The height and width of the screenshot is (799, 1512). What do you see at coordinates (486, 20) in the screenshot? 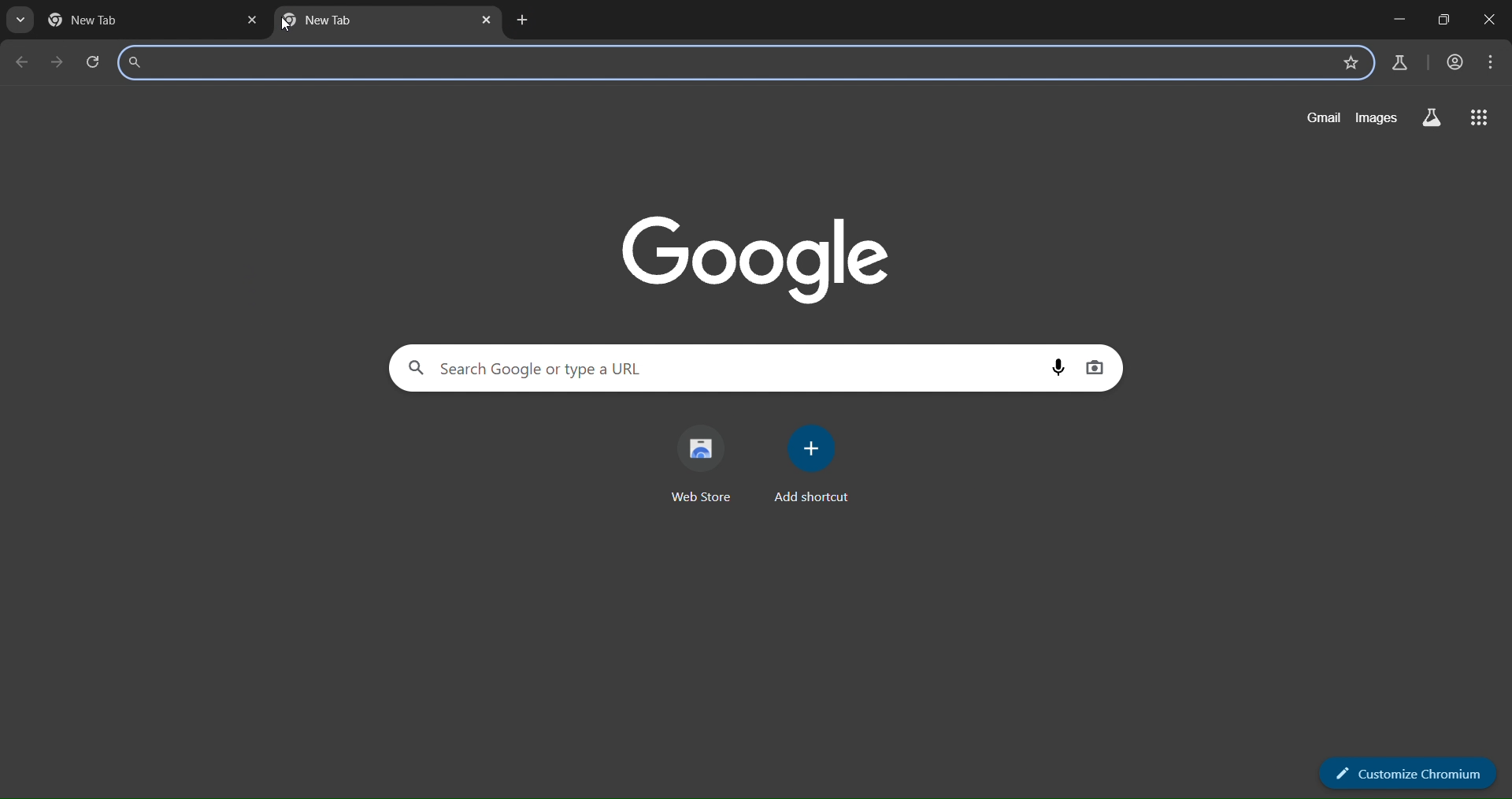
I see `close tab` at bounding box center [486, 20].